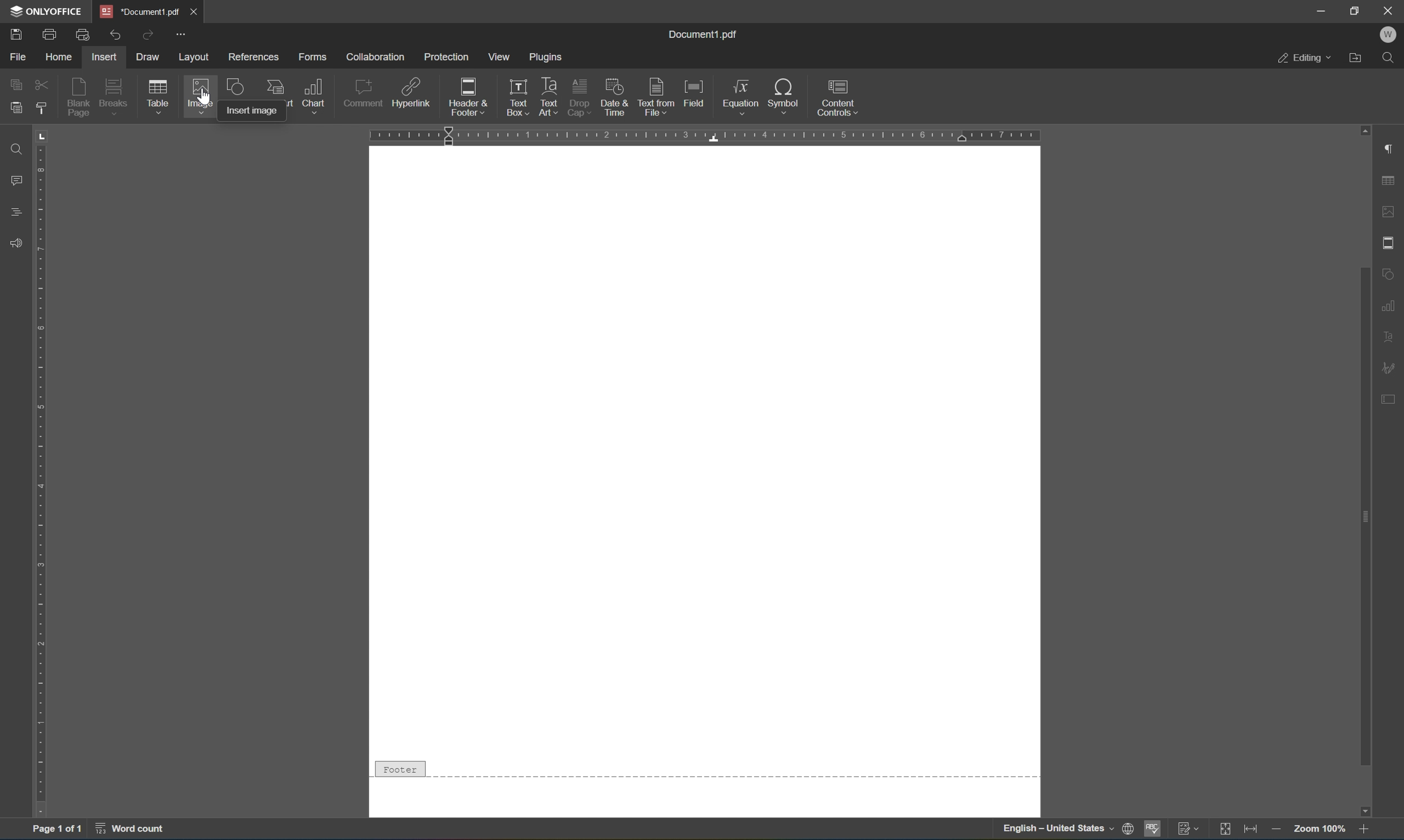 This screenshot has height=840, width=1404. Describe the element at coordinates (549, 84) in the screenshot. I see `text art` at that location.